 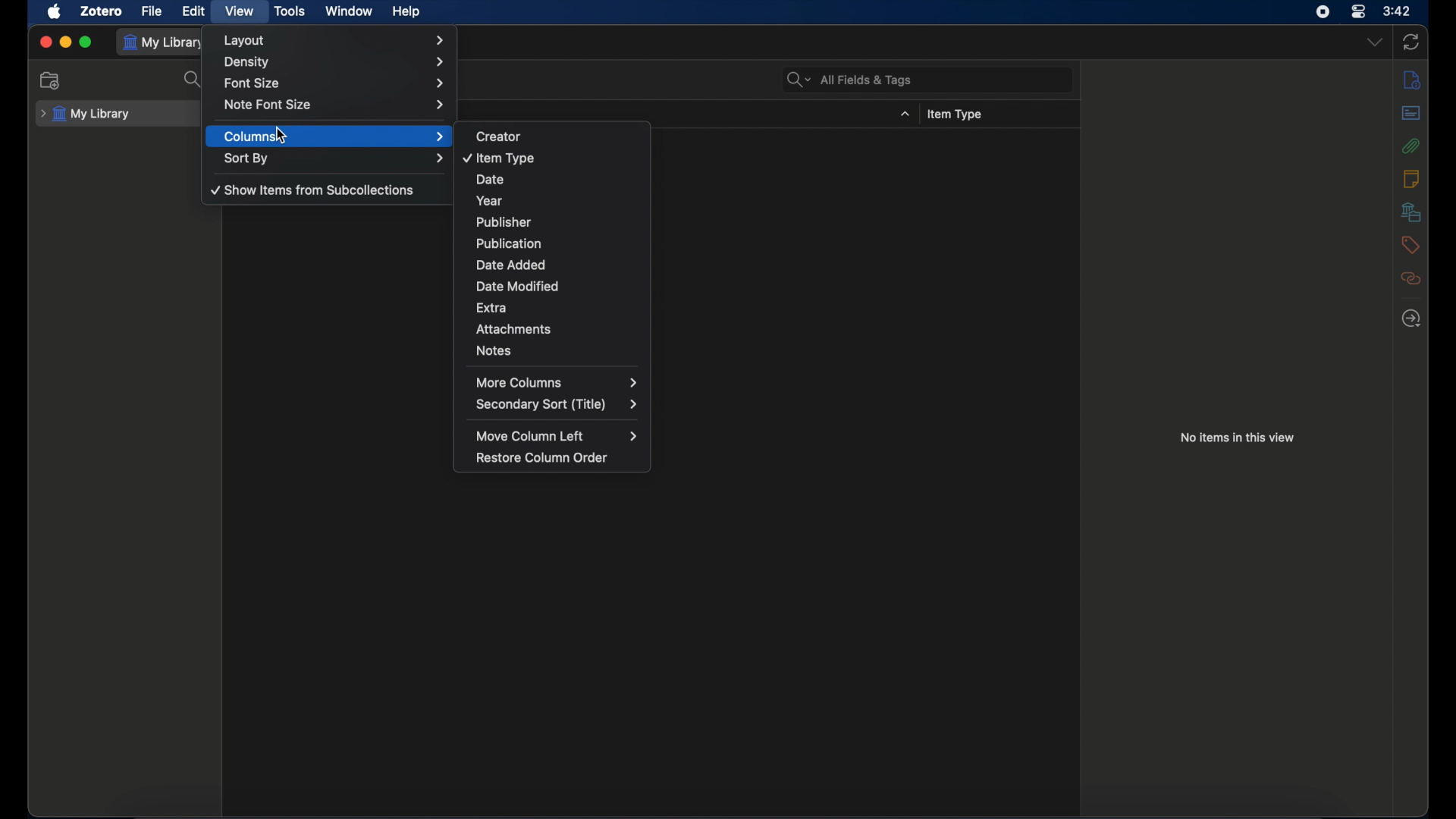 I want to click on secondary sort, so click(x=558, y=404).